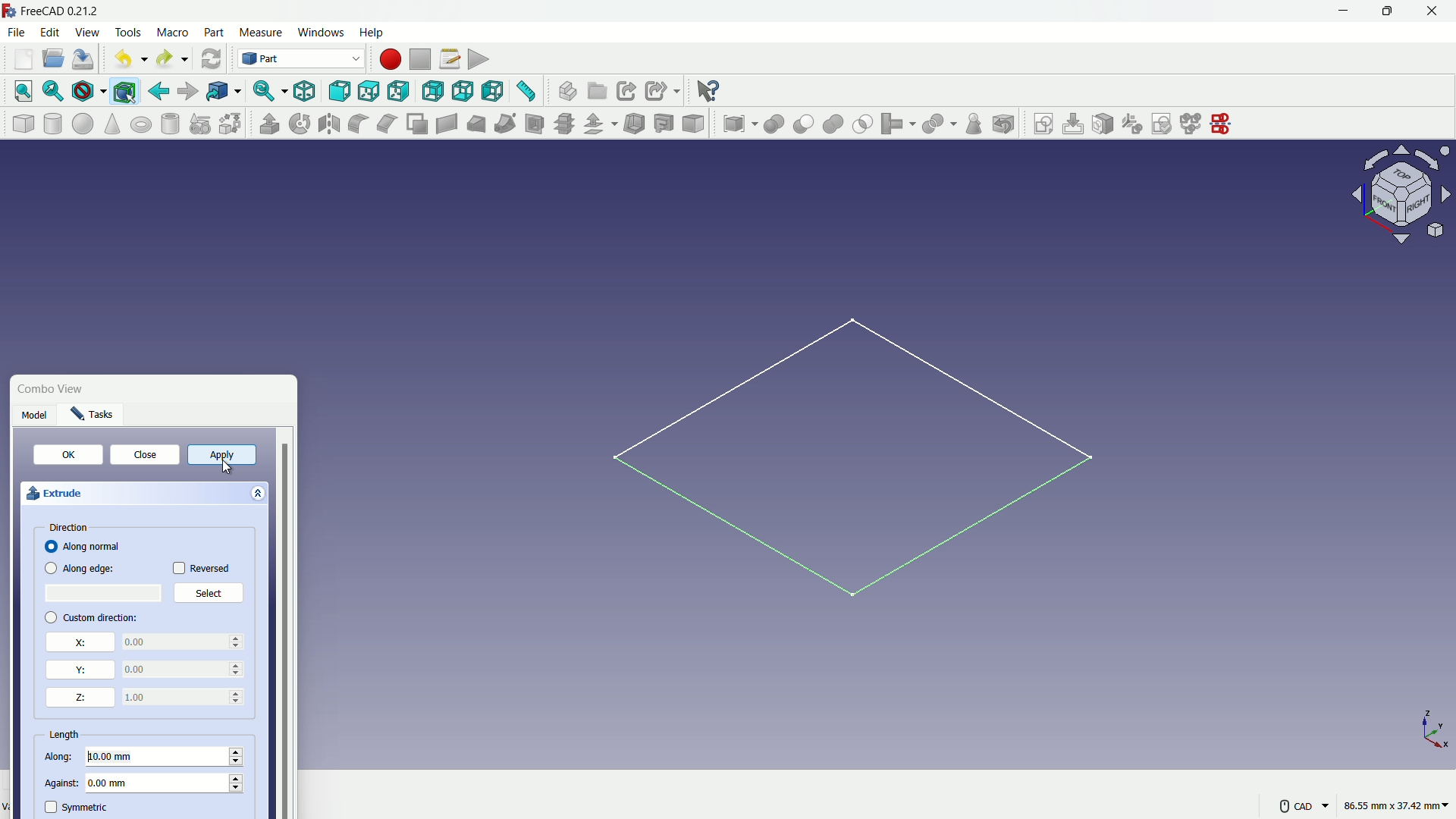 This screenshot has height=819, width=1456. What do you see at coordinates (301, 59) in the screenshot?
I see `switch workbenches` at bounding box center [301, 59].